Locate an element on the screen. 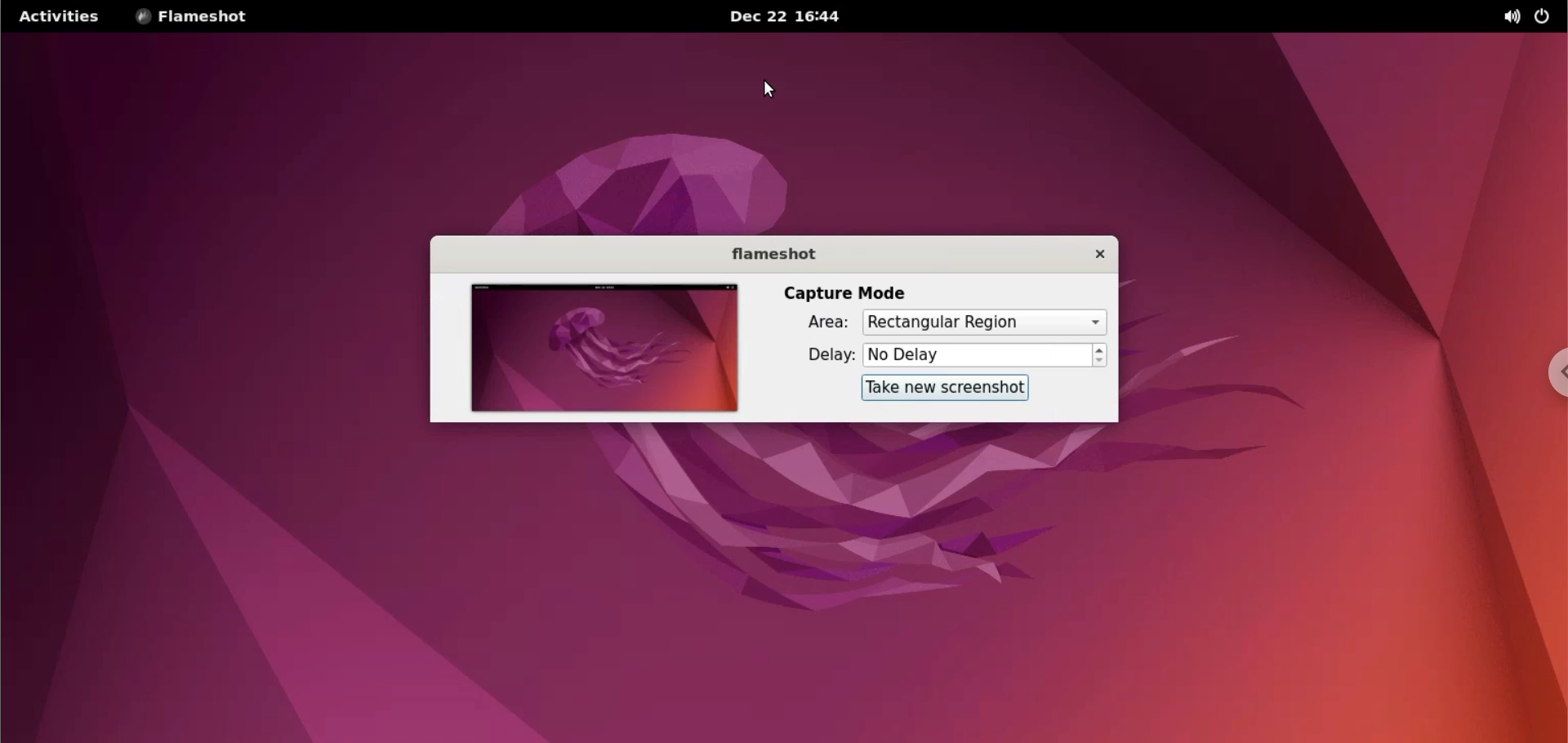  delay time input box is located at coordinates (978, 356).